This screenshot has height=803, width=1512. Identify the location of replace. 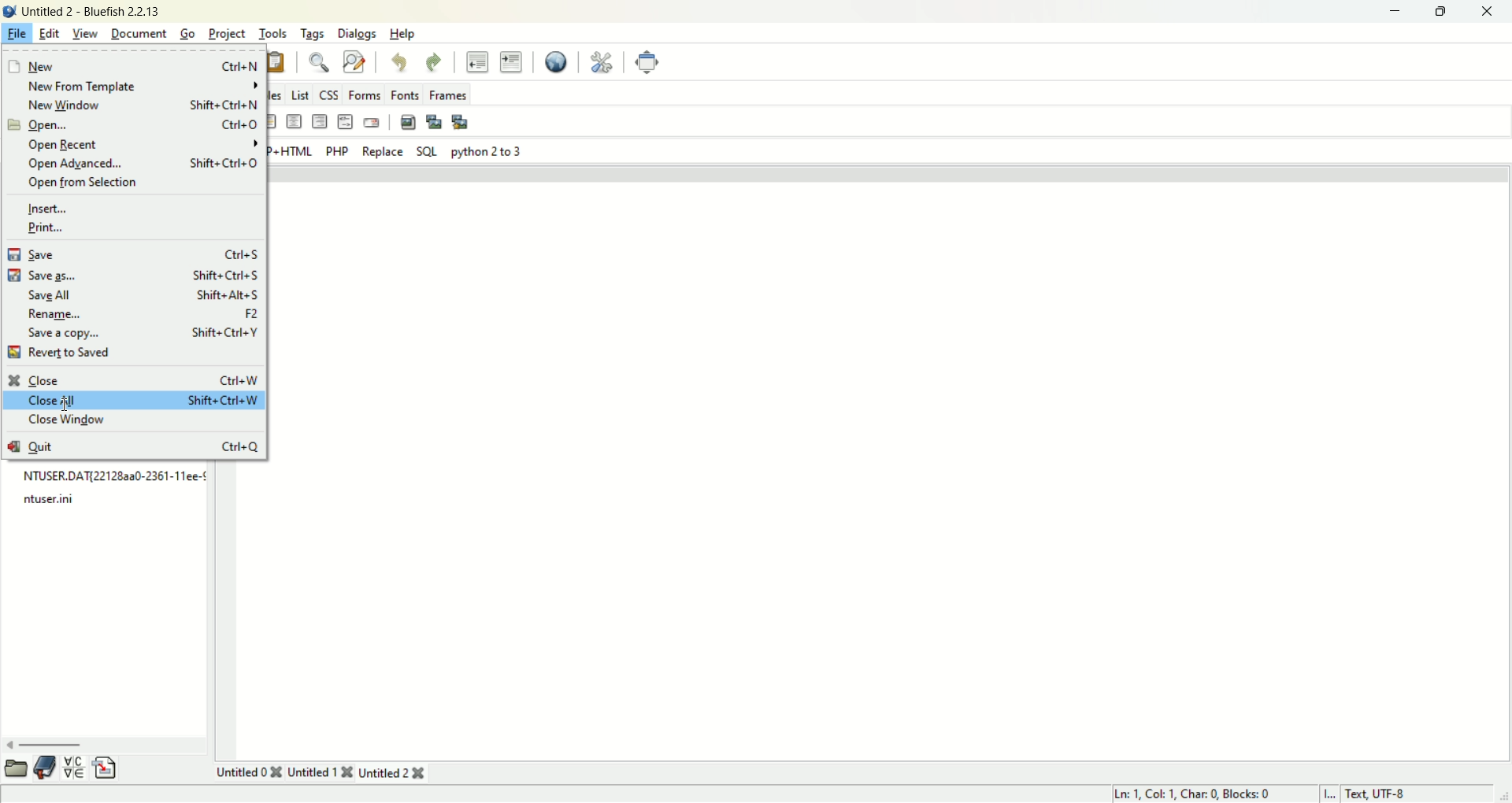
(383, 152).